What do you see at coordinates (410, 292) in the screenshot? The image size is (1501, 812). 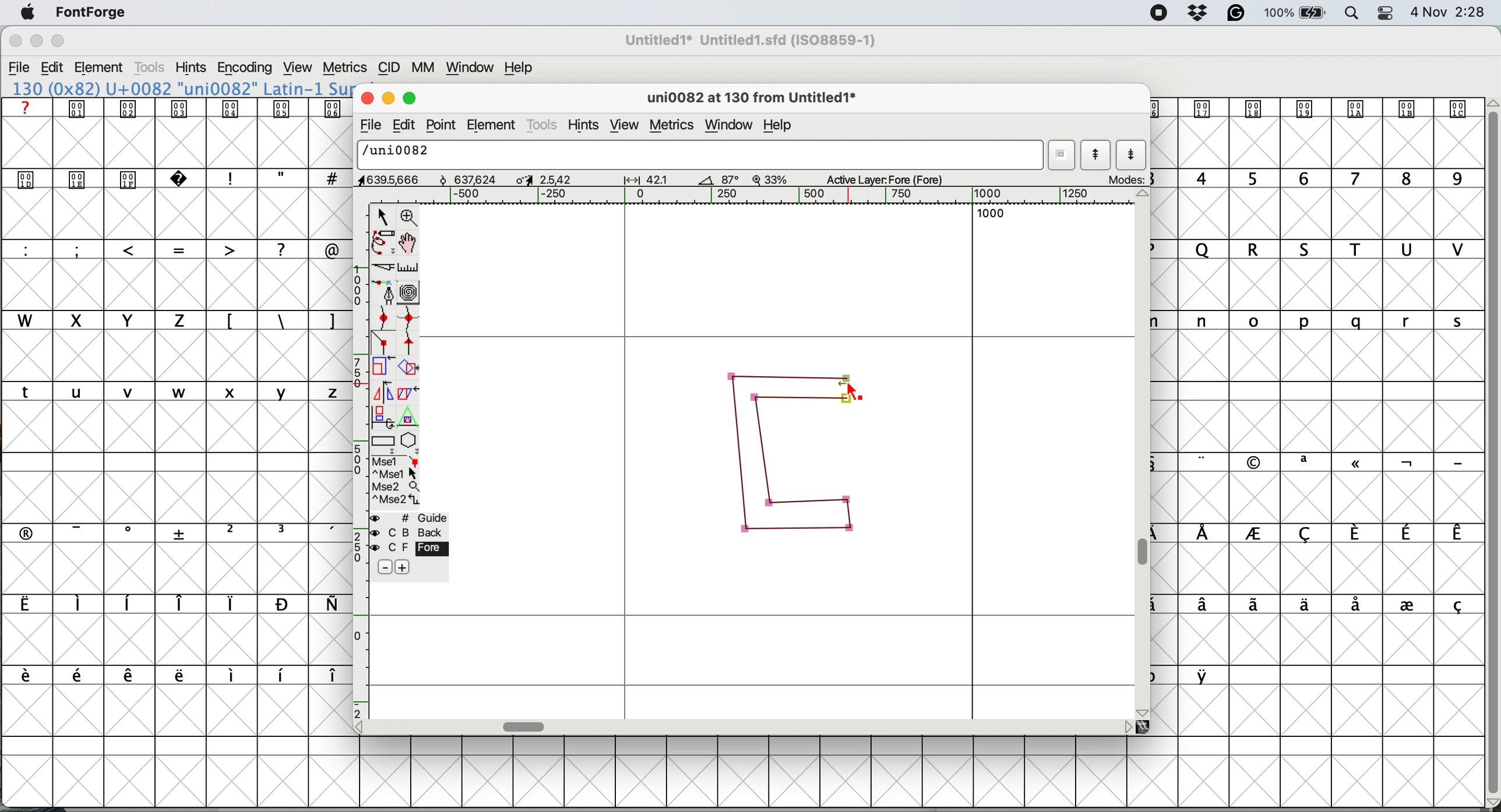 I see `change whether spiro is active or not` at bounding box center [410, 292].